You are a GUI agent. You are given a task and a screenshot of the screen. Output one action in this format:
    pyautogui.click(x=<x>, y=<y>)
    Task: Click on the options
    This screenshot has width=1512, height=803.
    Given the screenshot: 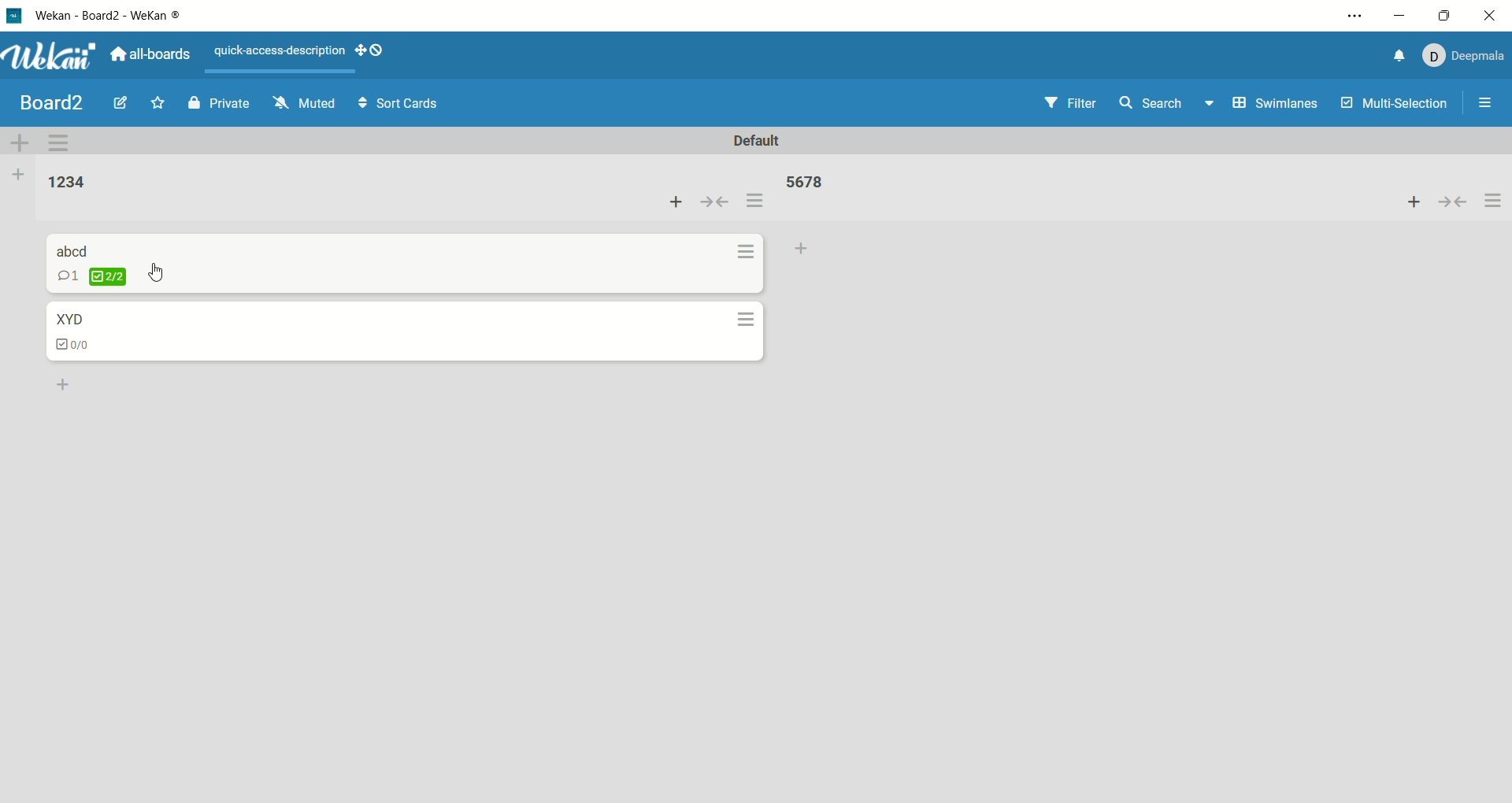 What is the action you would take?
    pyautogui.click(x=1354, y=15)
    